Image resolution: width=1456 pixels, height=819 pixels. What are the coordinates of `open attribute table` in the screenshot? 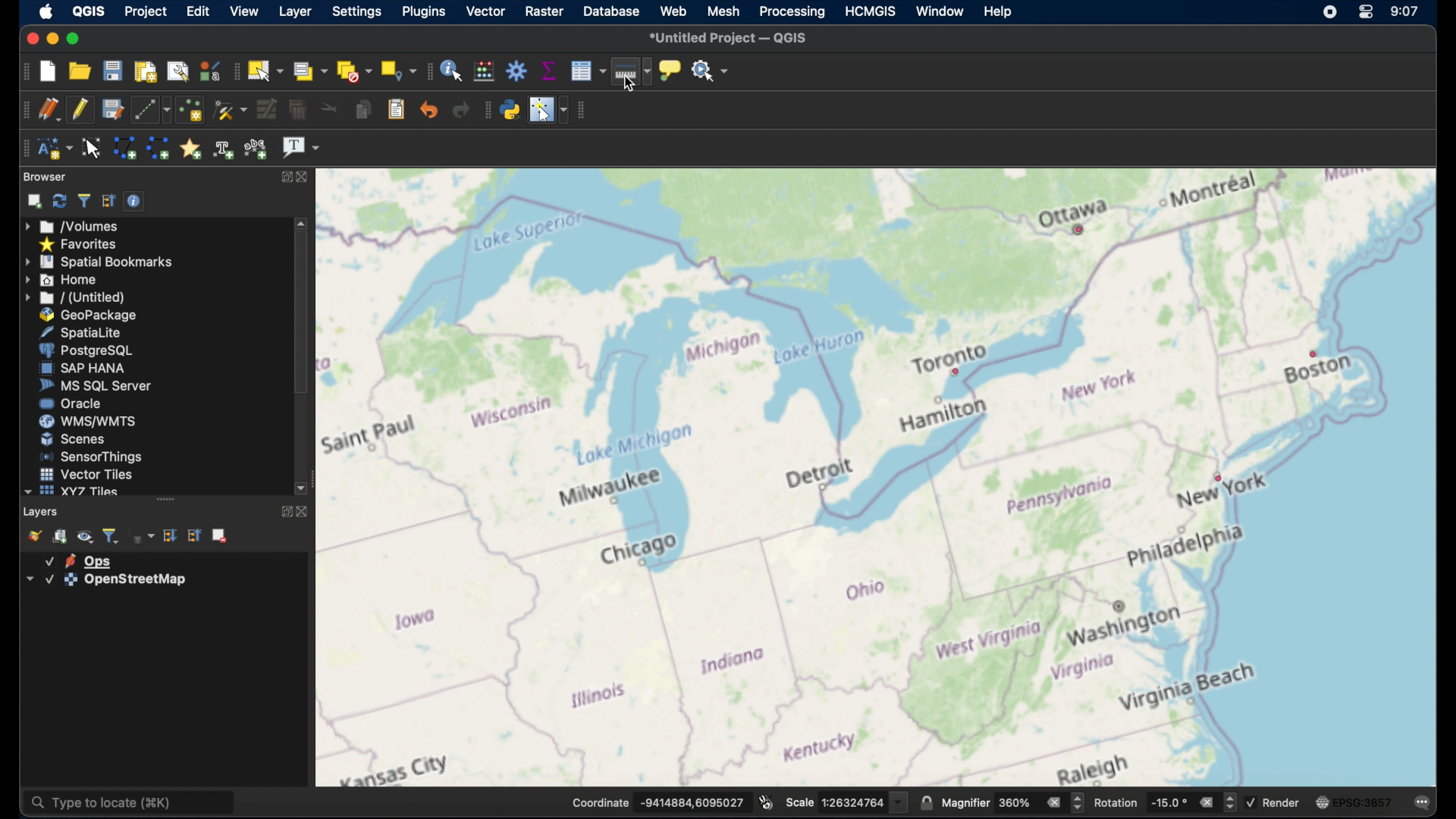 It's located at (588, 72).